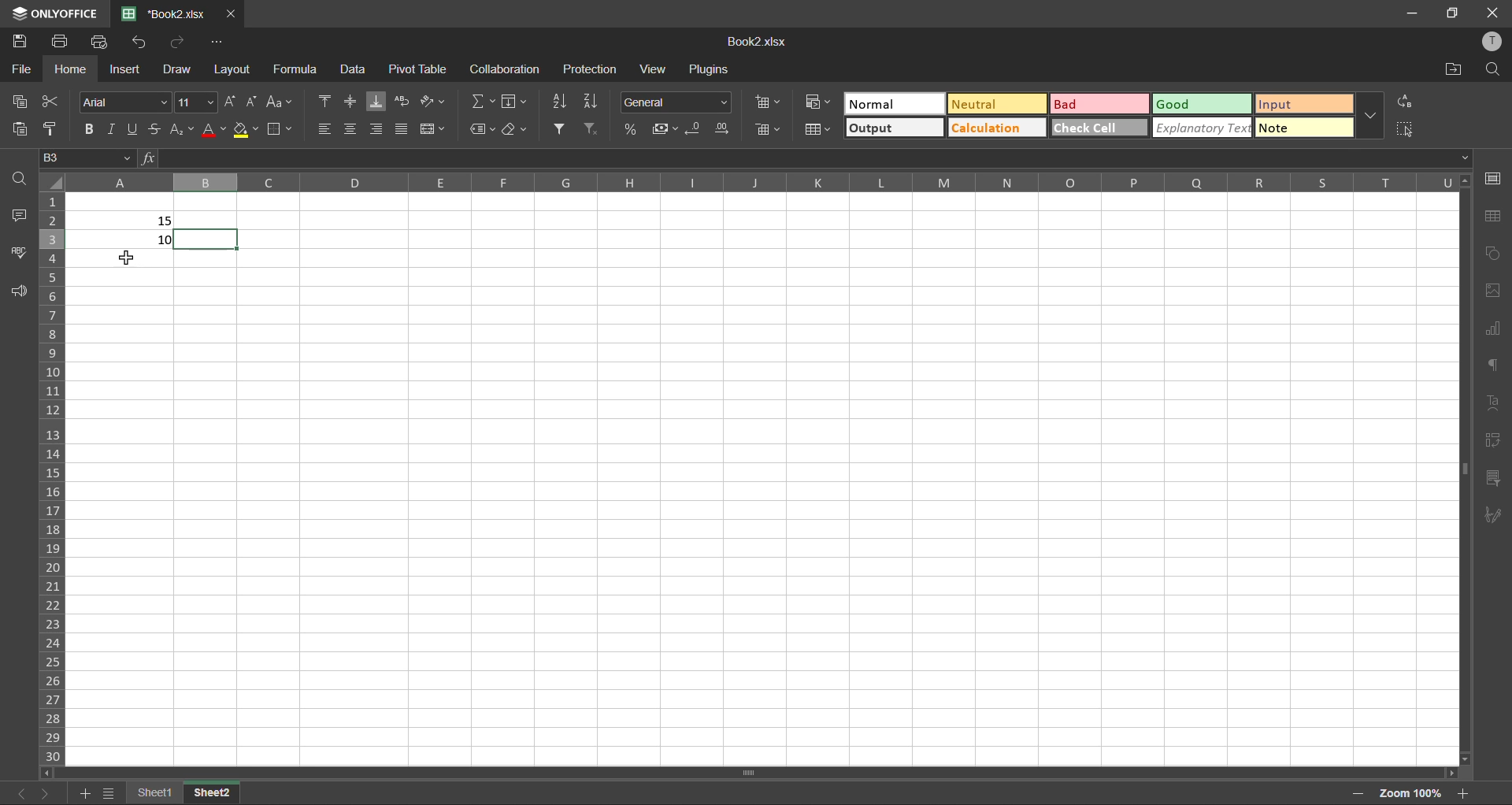 The image size is (1512, 805). What do you see at coordinates (999, 106) in the screenshot?
I see `neutral` at bounding box center [999, 106].